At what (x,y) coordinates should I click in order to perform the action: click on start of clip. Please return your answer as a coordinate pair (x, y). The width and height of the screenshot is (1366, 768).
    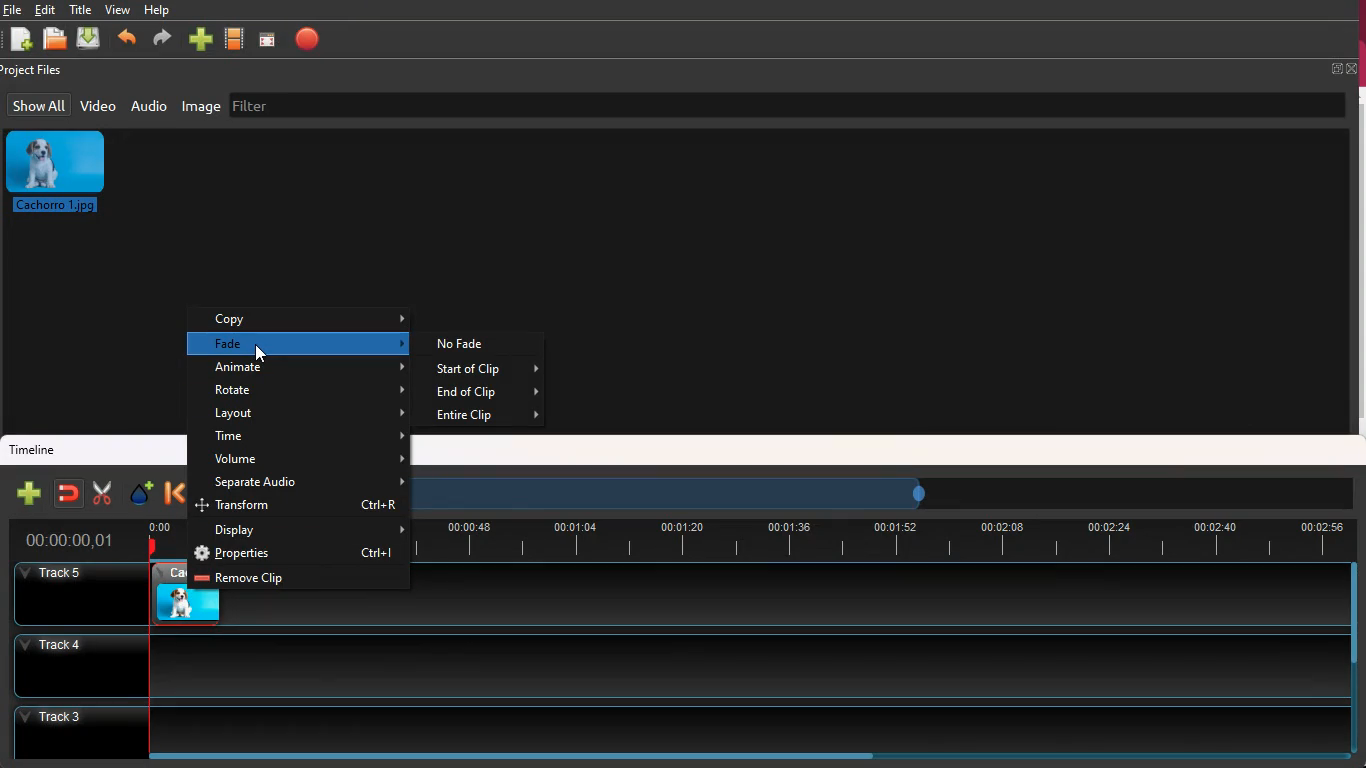
    Looking at the image, I should click on (488, 369).